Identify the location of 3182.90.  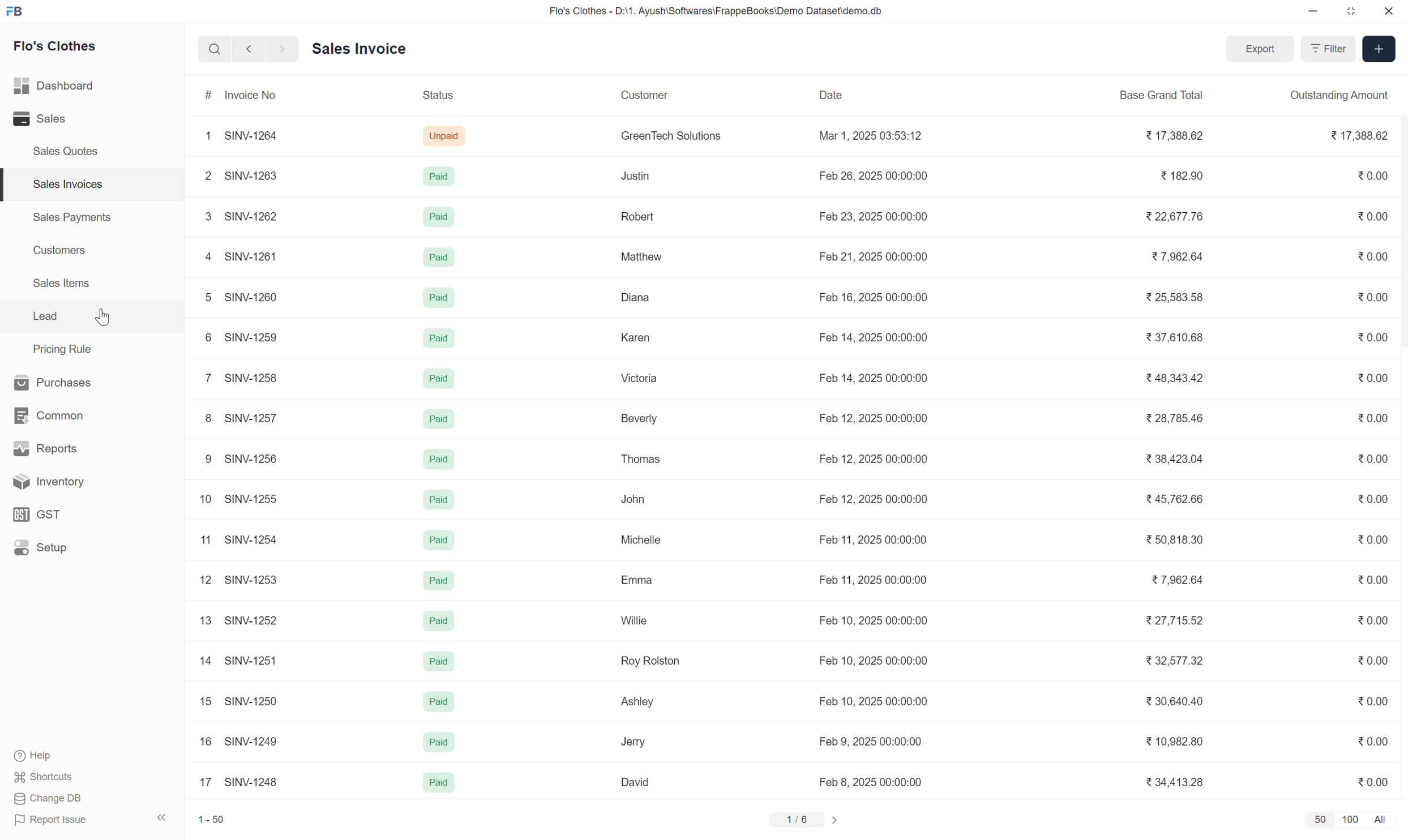
(1179, 177).